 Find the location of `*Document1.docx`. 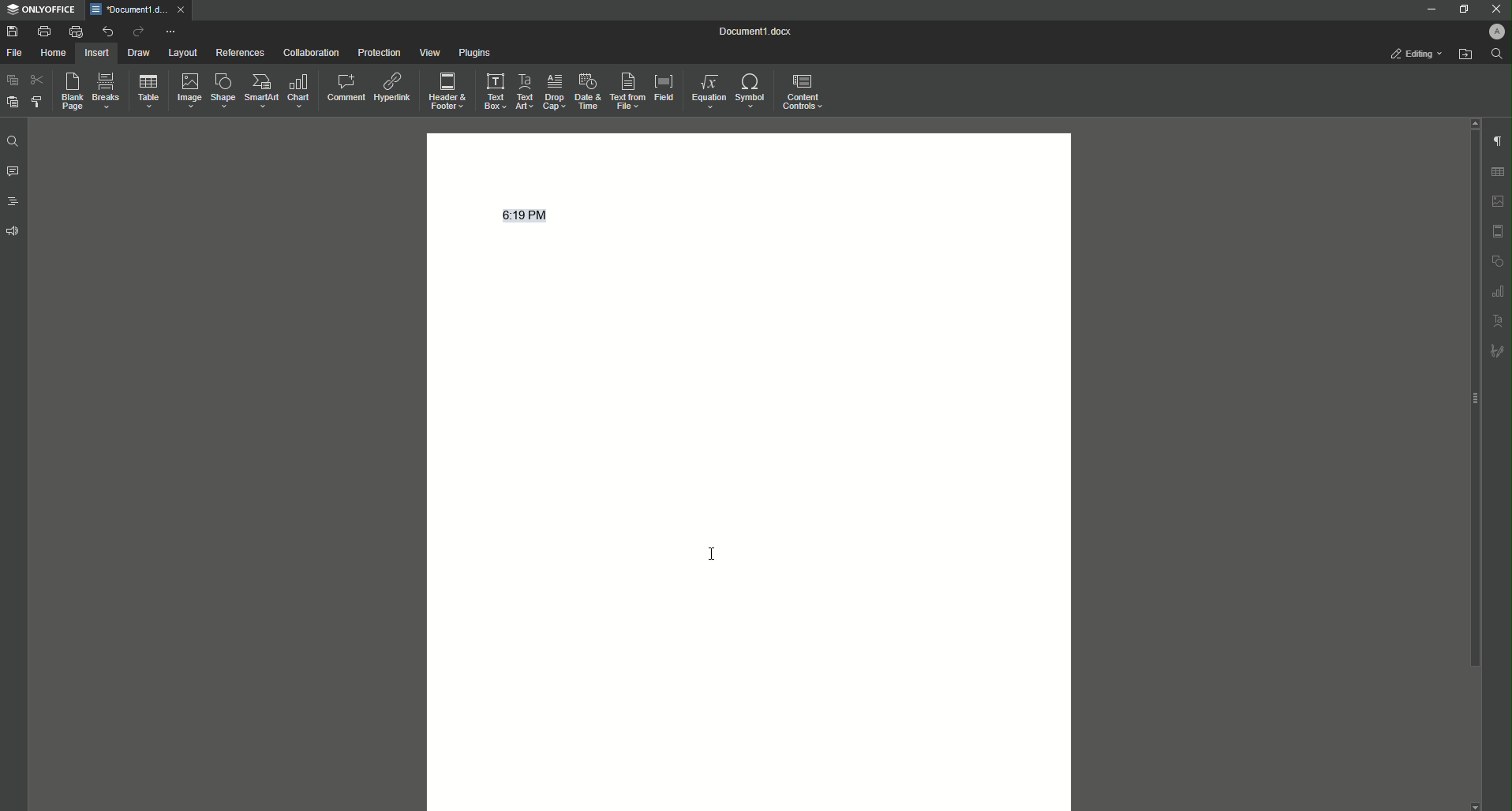

*Document1.docx is located at coordinates (128, 9).